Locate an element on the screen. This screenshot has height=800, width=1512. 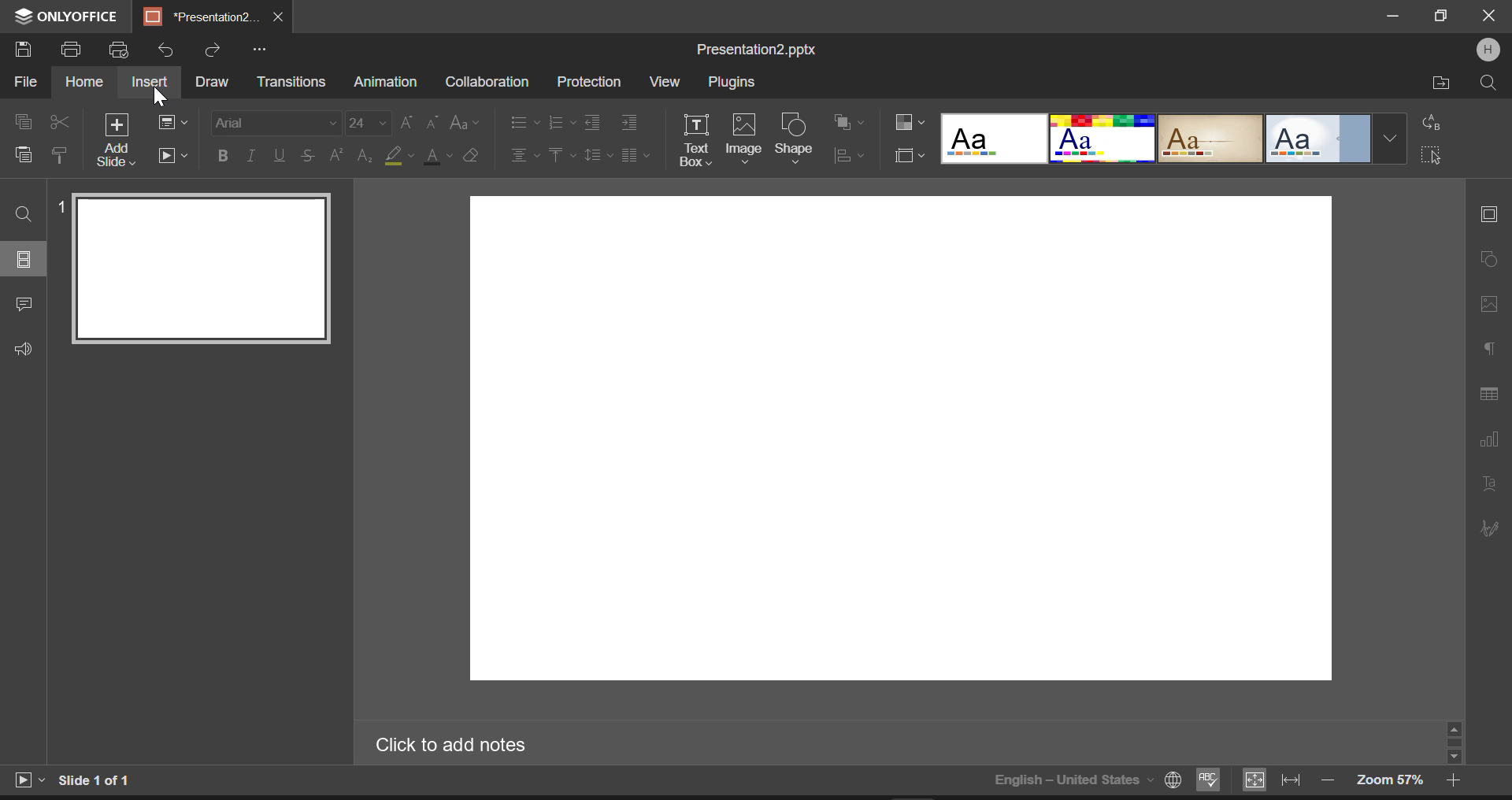
Collaboration is located at coordinates (487, 82).